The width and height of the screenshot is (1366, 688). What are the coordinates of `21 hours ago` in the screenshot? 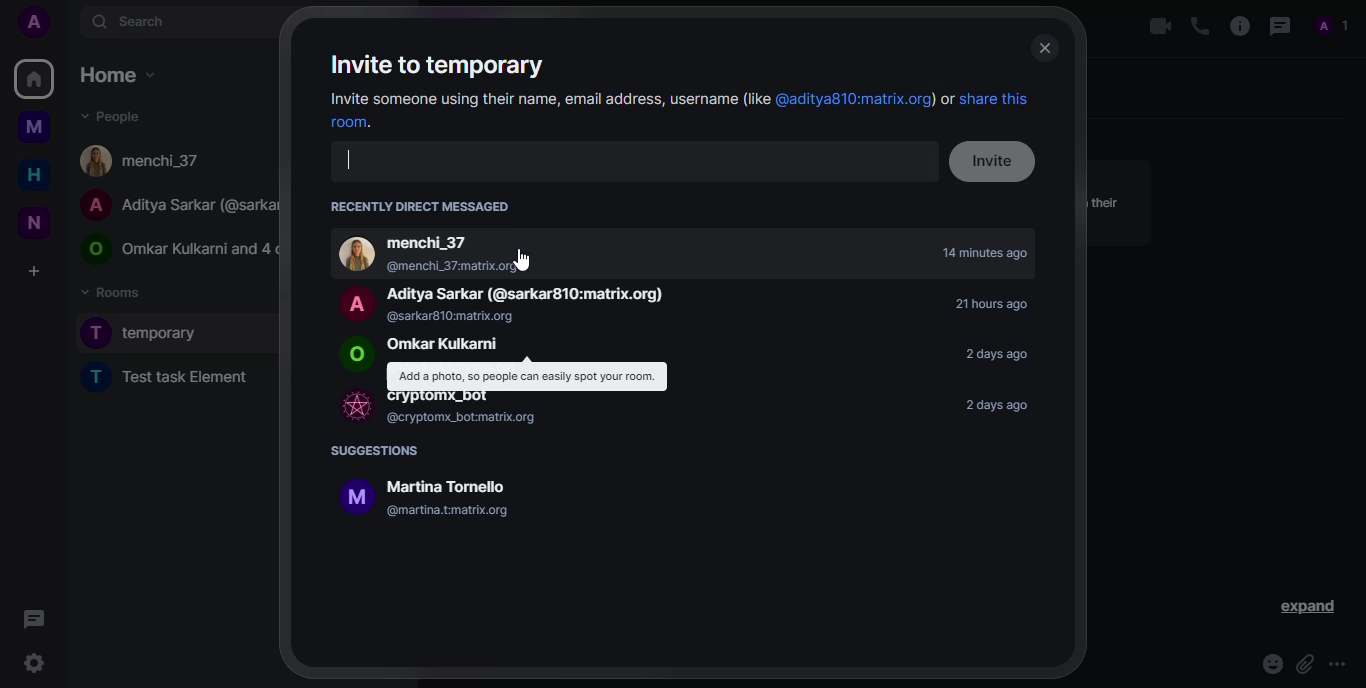 It's located at (984, 305).